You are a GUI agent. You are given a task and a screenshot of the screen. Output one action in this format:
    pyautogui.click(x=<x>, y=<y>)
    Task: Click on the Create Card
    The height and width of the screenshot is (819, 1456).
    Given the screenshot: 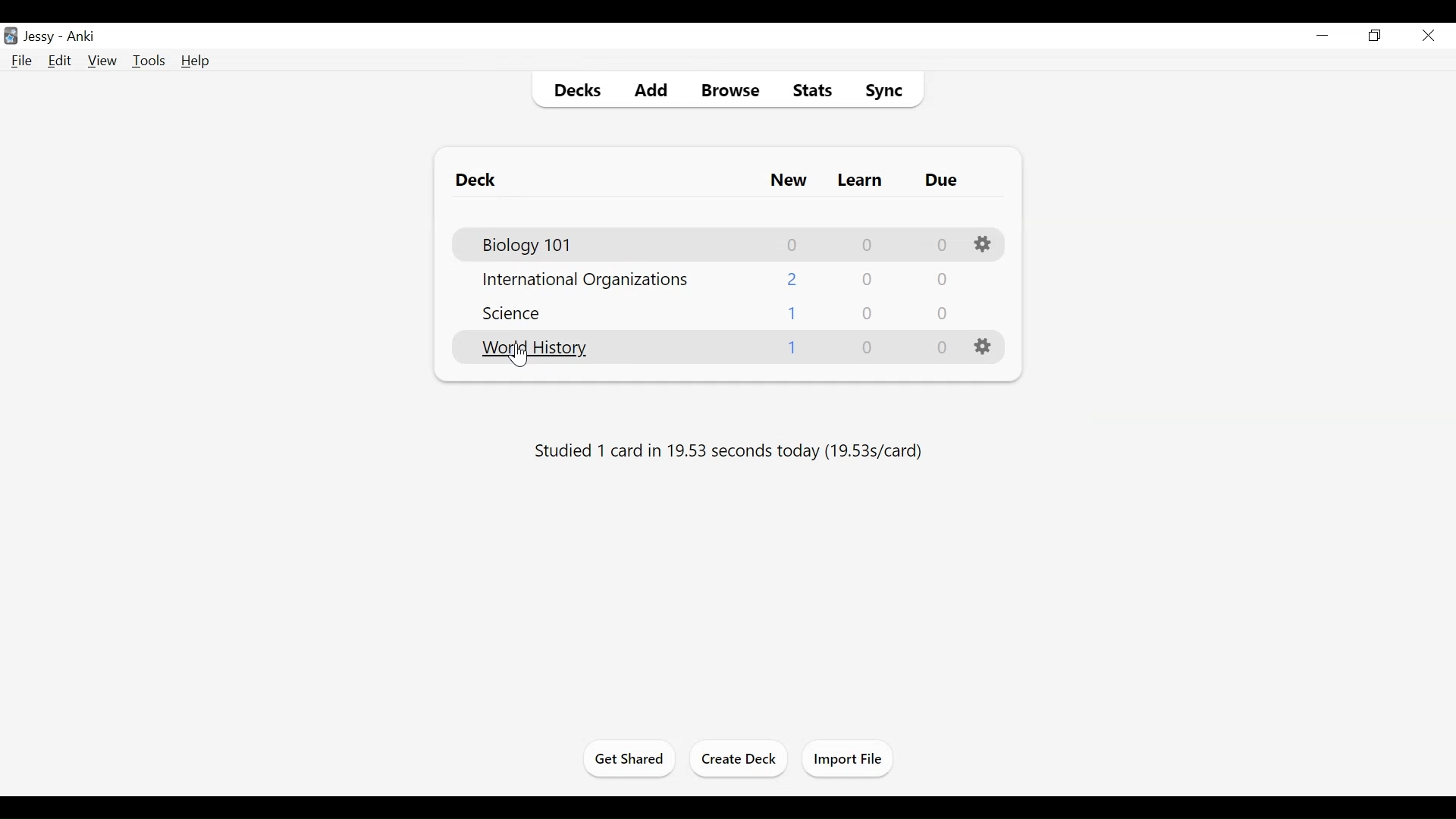 What is the action you would take?
    pyautogui.click(x=739, y=758)
    